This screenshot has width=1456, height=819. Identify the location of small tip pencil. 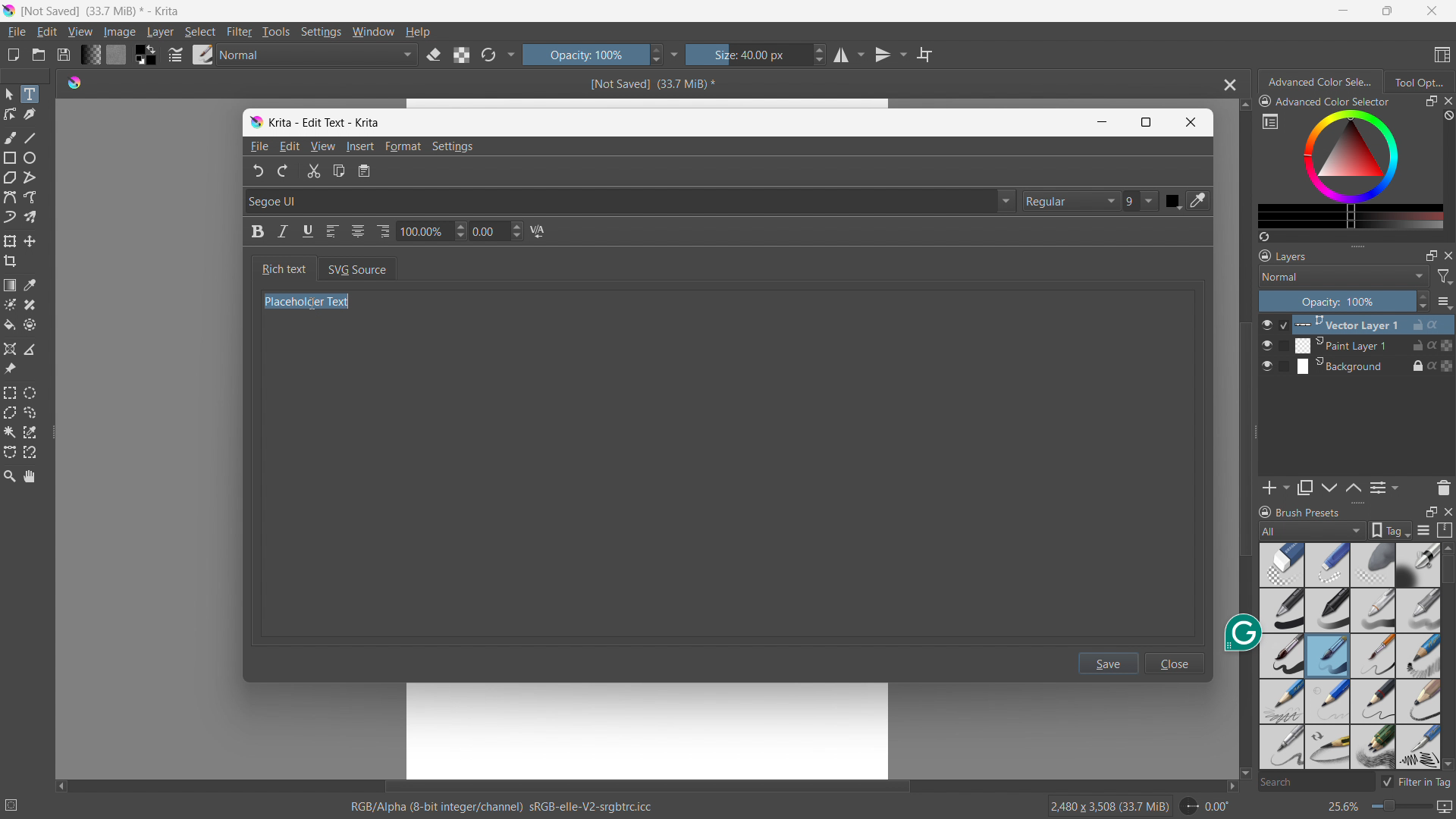
(1374, 701).